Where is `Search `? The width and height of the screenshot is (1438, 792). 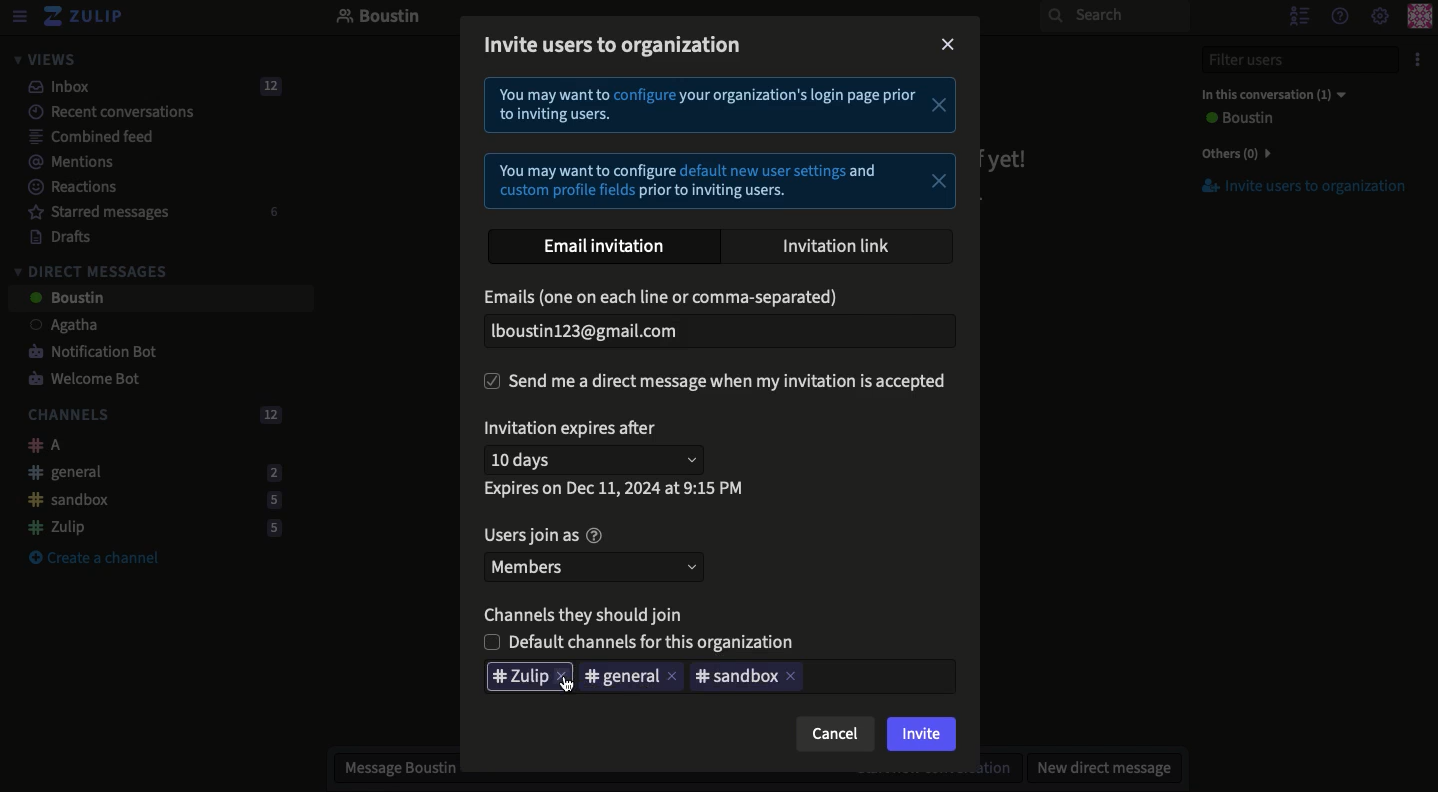
Search  is located at coordinates (1114, 16).